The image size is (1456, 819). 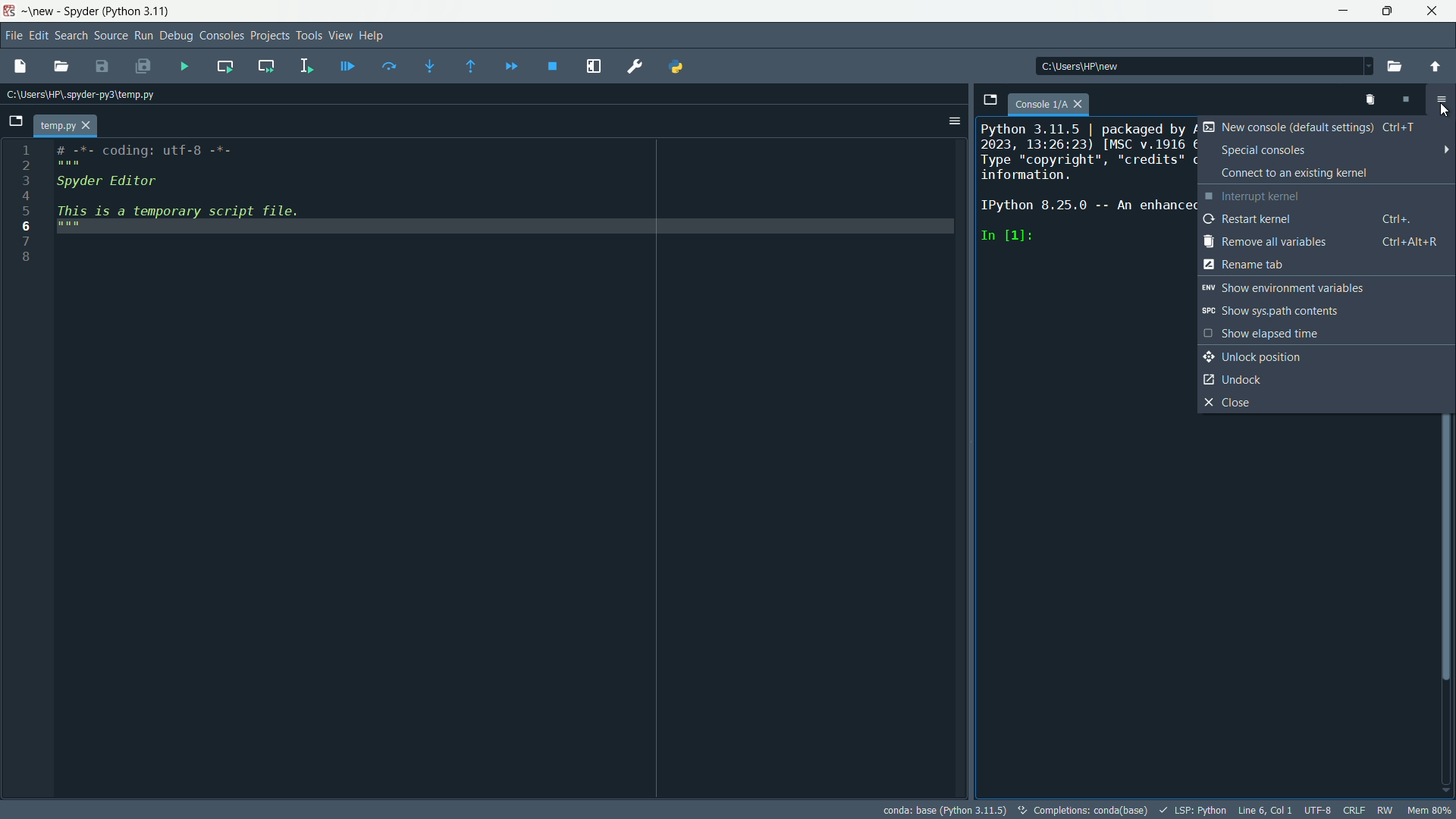 I want to click on interrupt kernel, so click(x=1406, y=101).